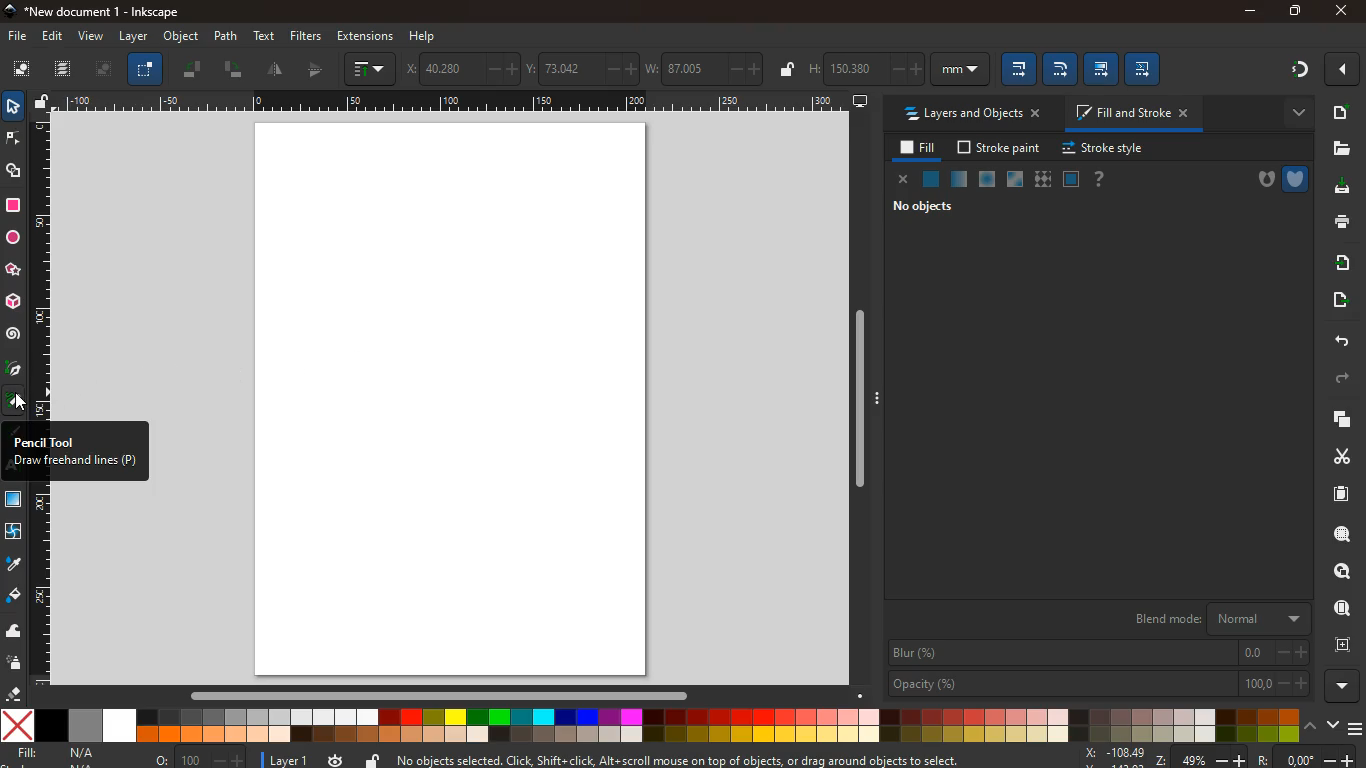  What do you see at coordinates (1345, 70) in the screenshot?
I see `close` at bounding box center [1345, 70].